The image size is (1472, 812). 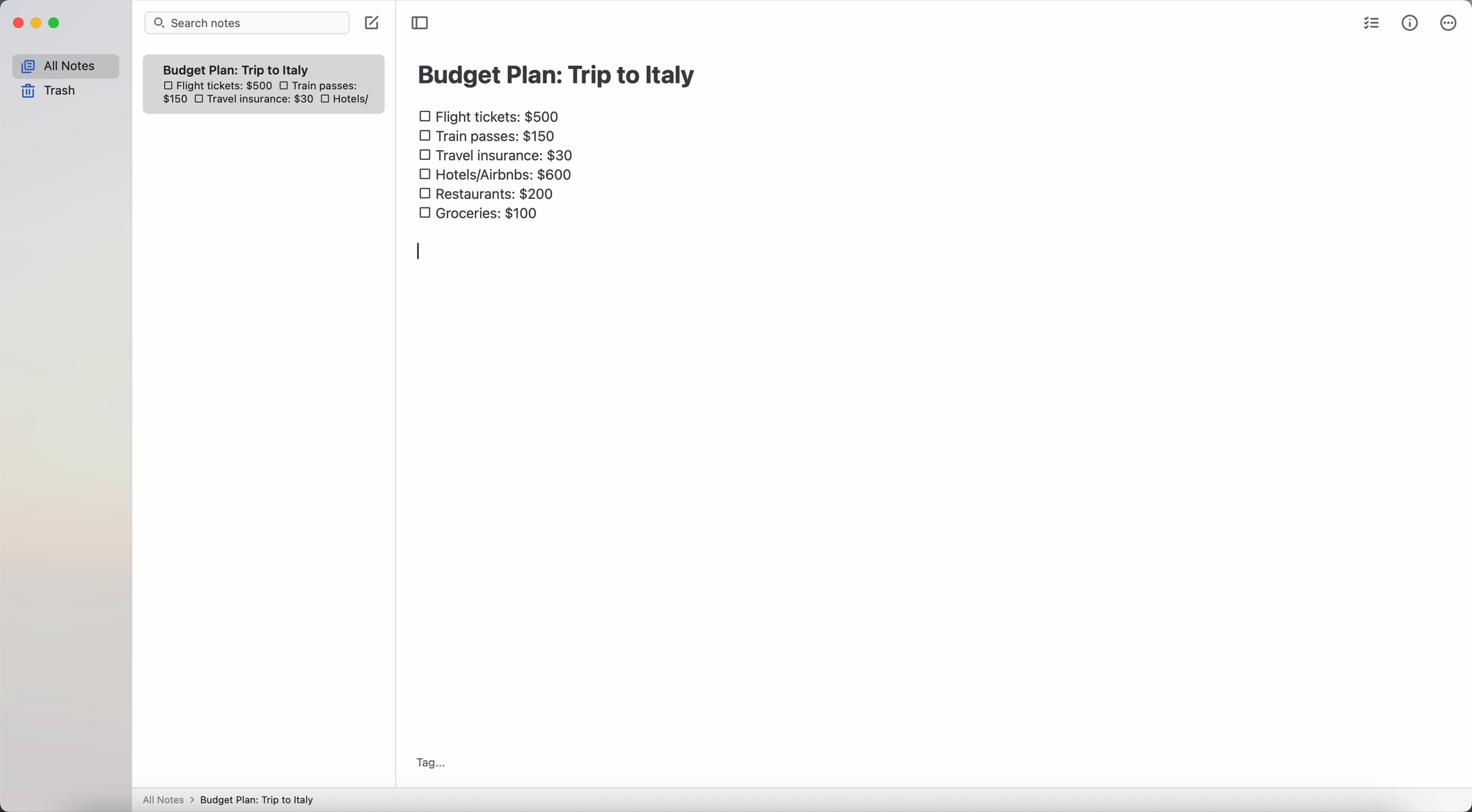 I want to click on enter, so click(x=421, y=253).